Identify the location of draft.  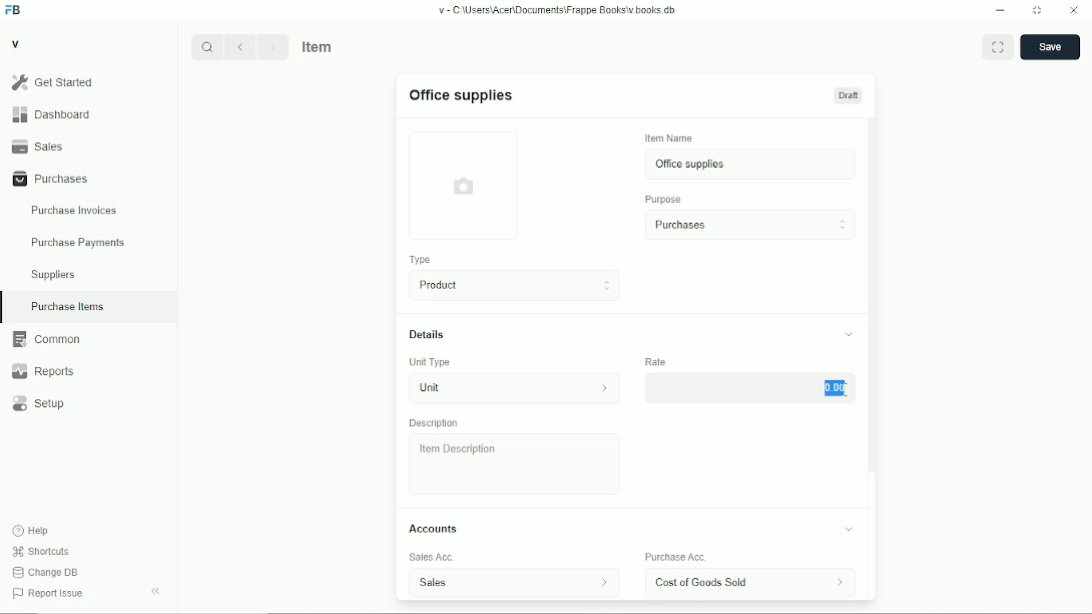
(849, 95).